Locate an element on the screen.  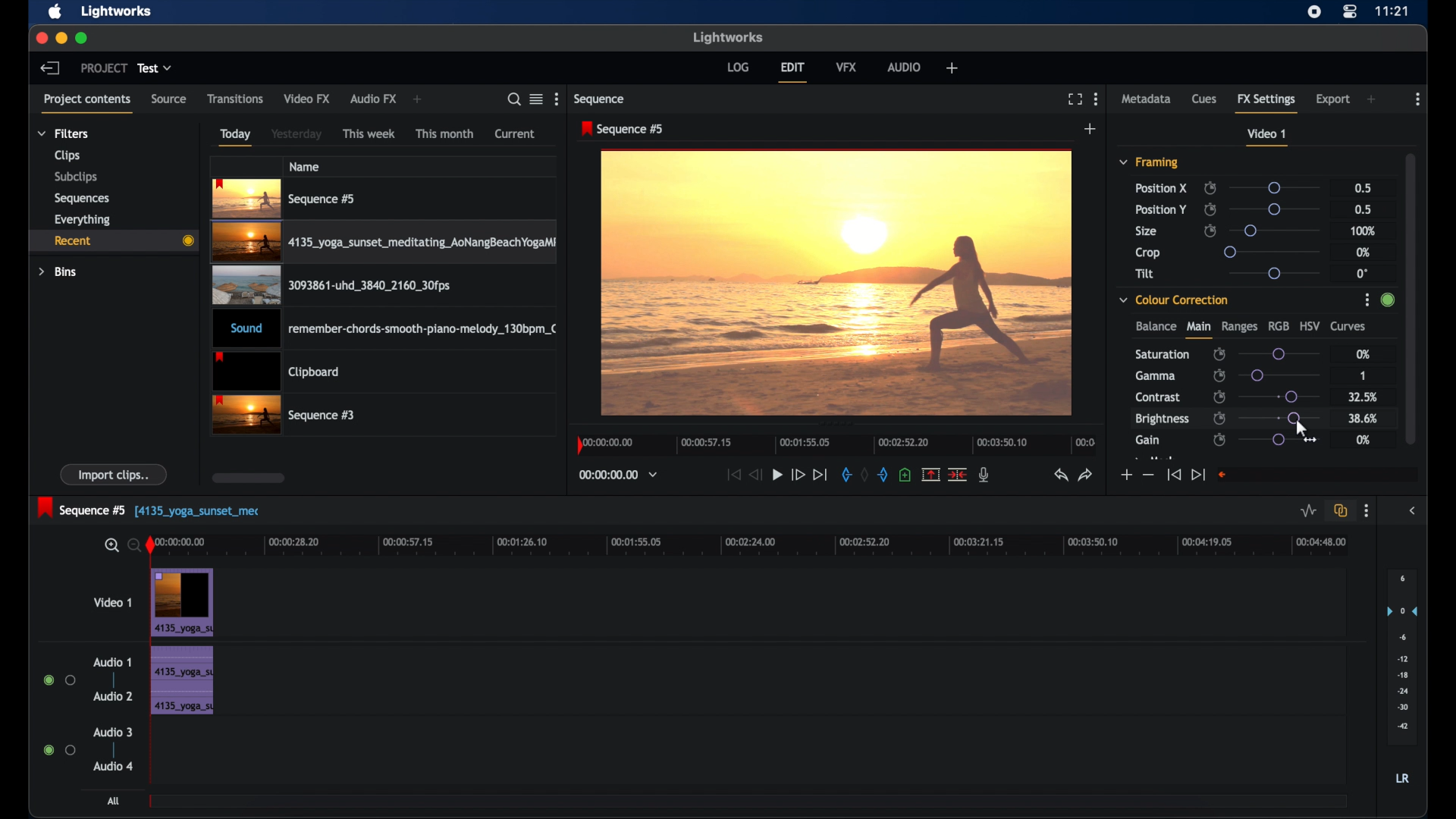
lightworks is located at coordinates (730, 37).